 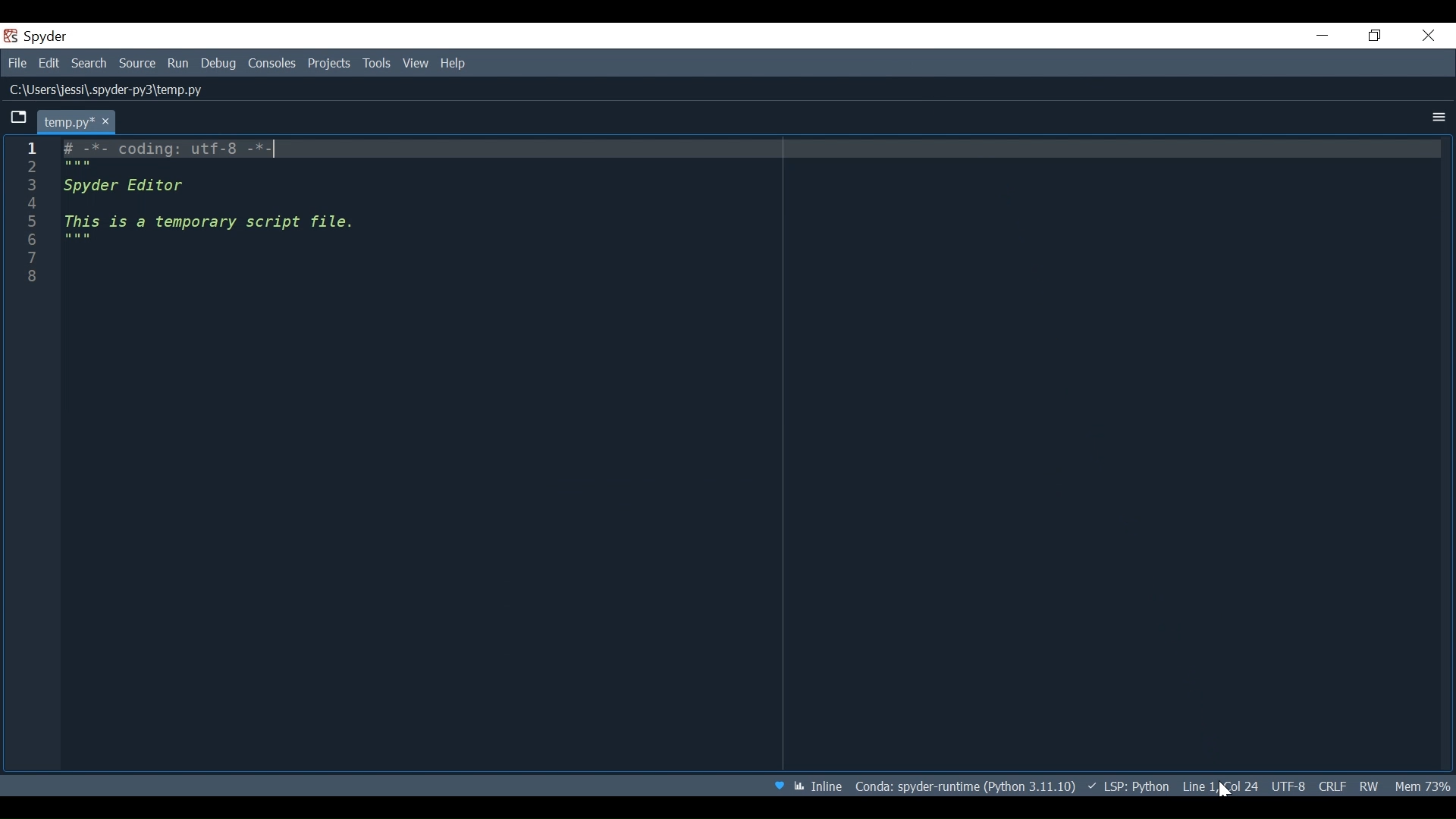 What do you see at coordinates (1439, 118) in the screenshot?
I see `more options` at bounding box center [1439, 118].